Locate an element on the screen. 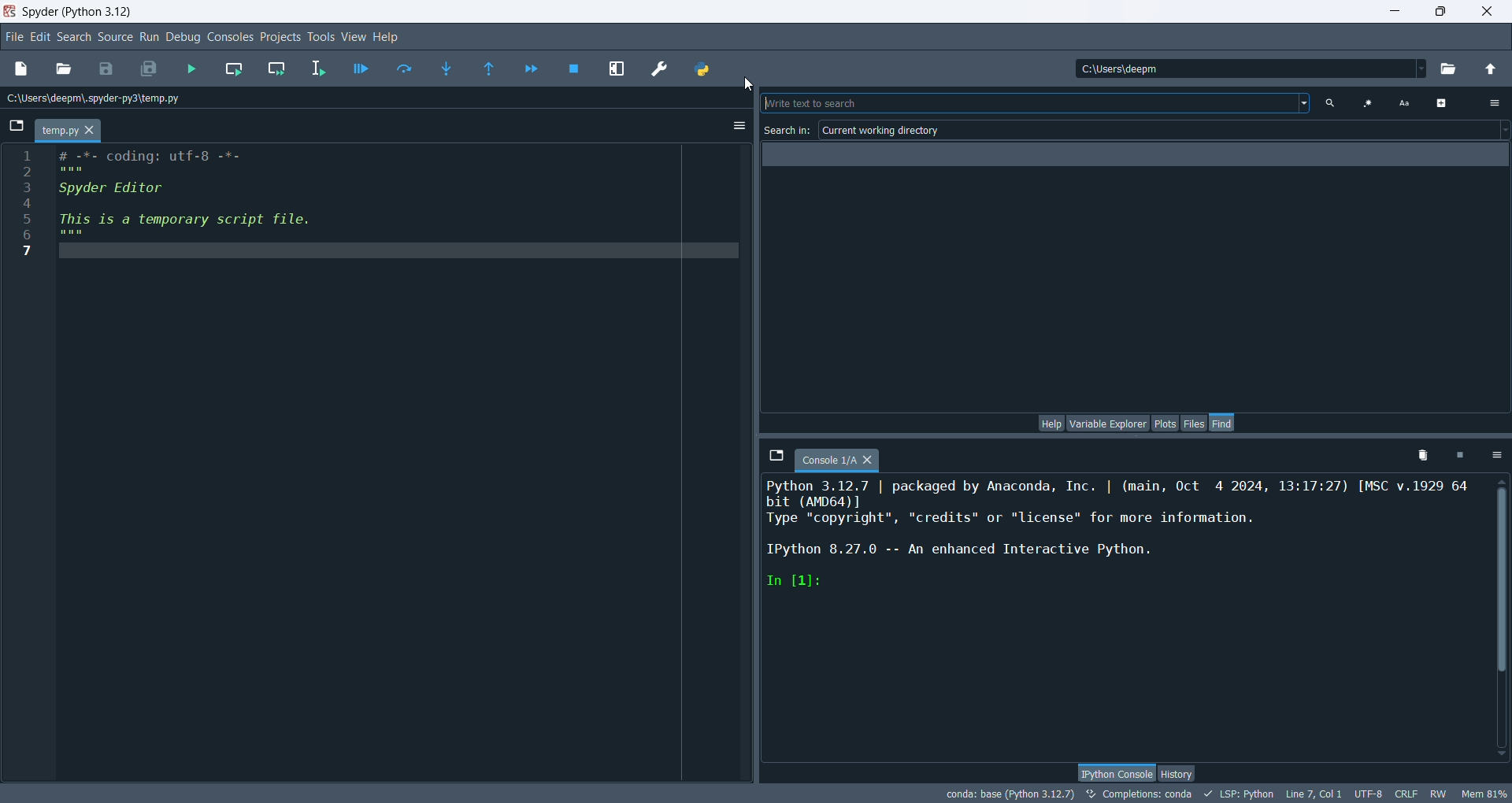  case sensitive search is located at coordinates (1402, 104).